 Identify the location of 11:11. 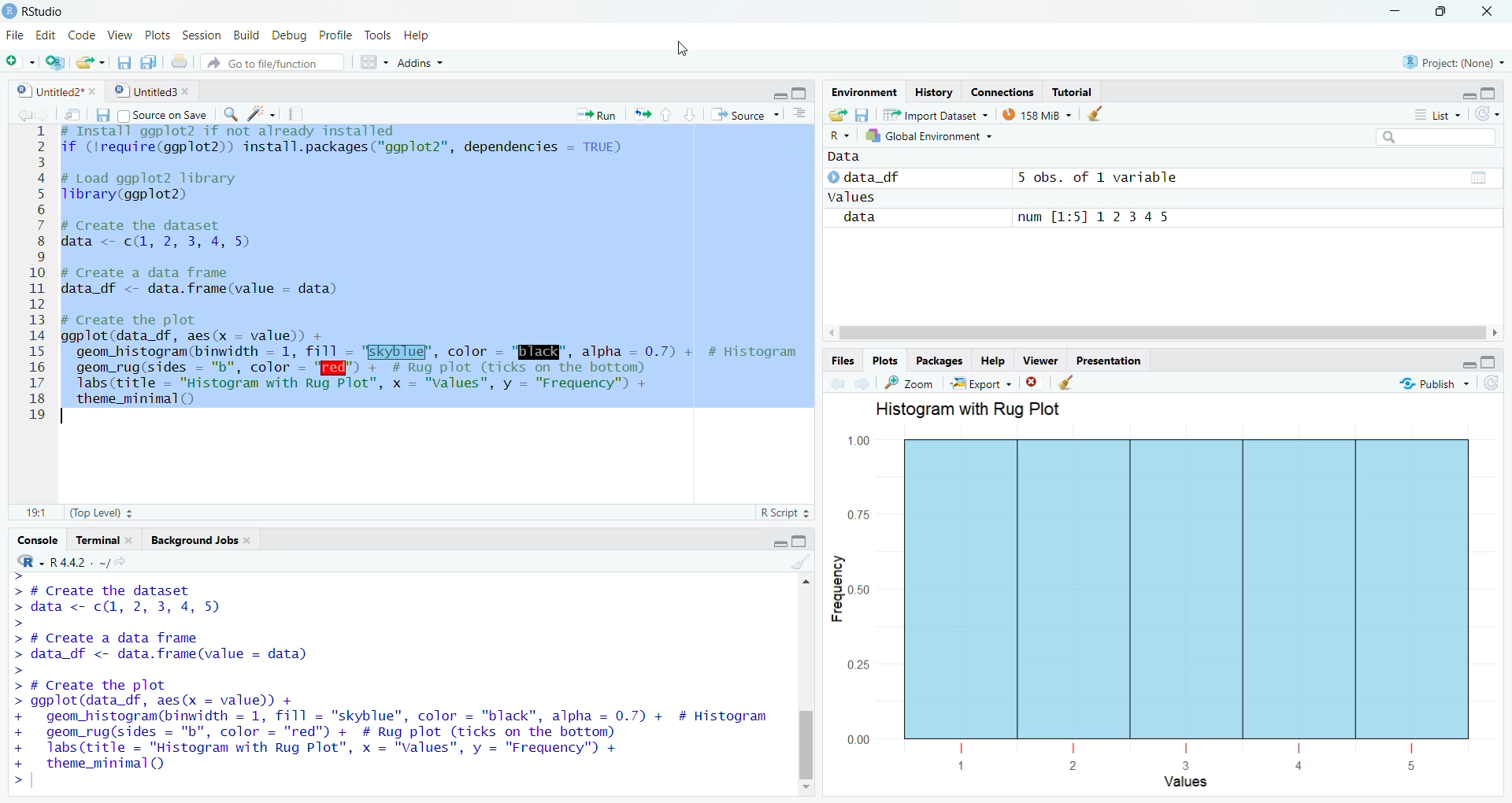
(27, 510).